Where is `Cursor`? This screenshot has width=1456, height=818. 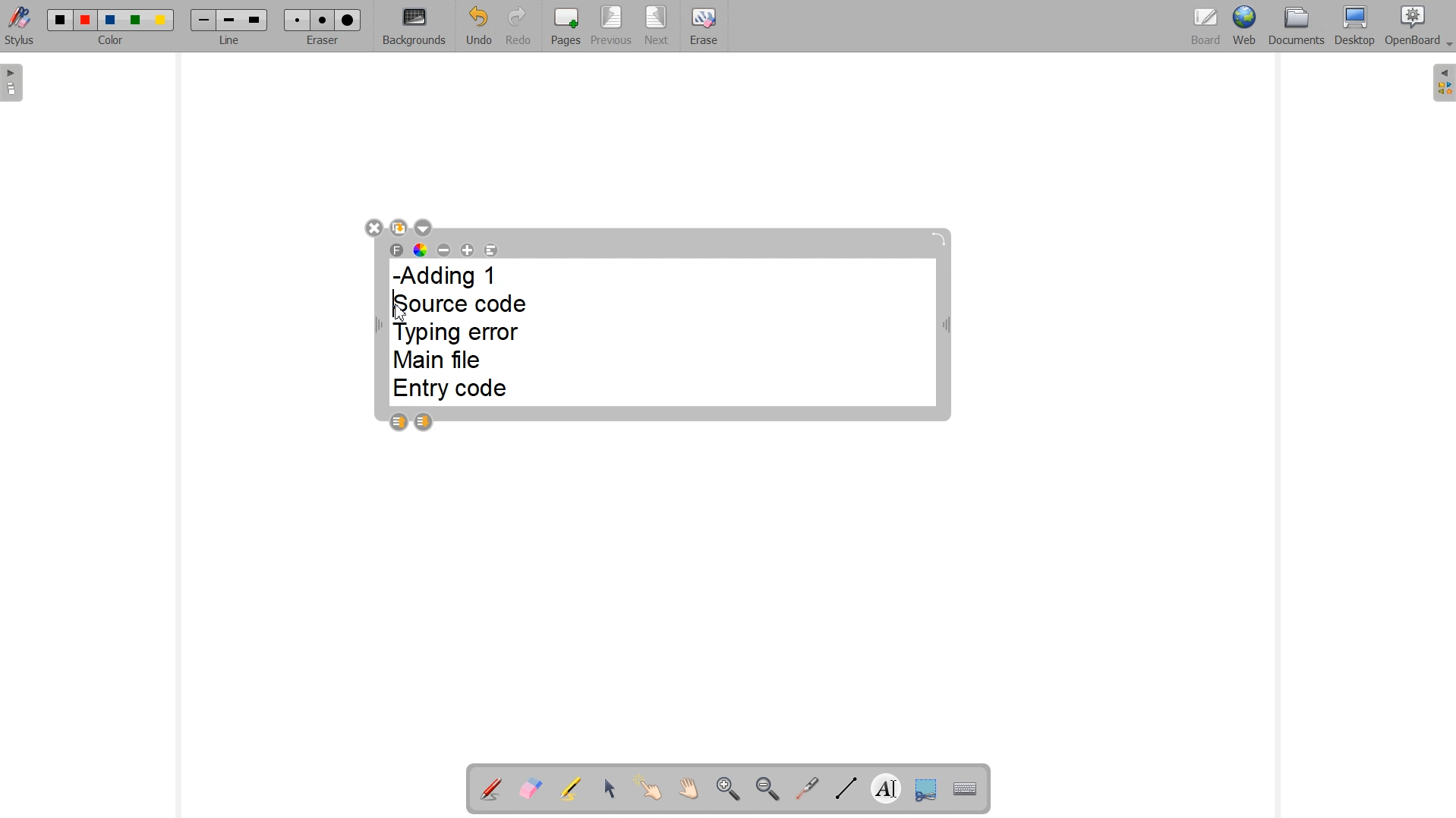 Cursor is located at coordinates (401, 313).